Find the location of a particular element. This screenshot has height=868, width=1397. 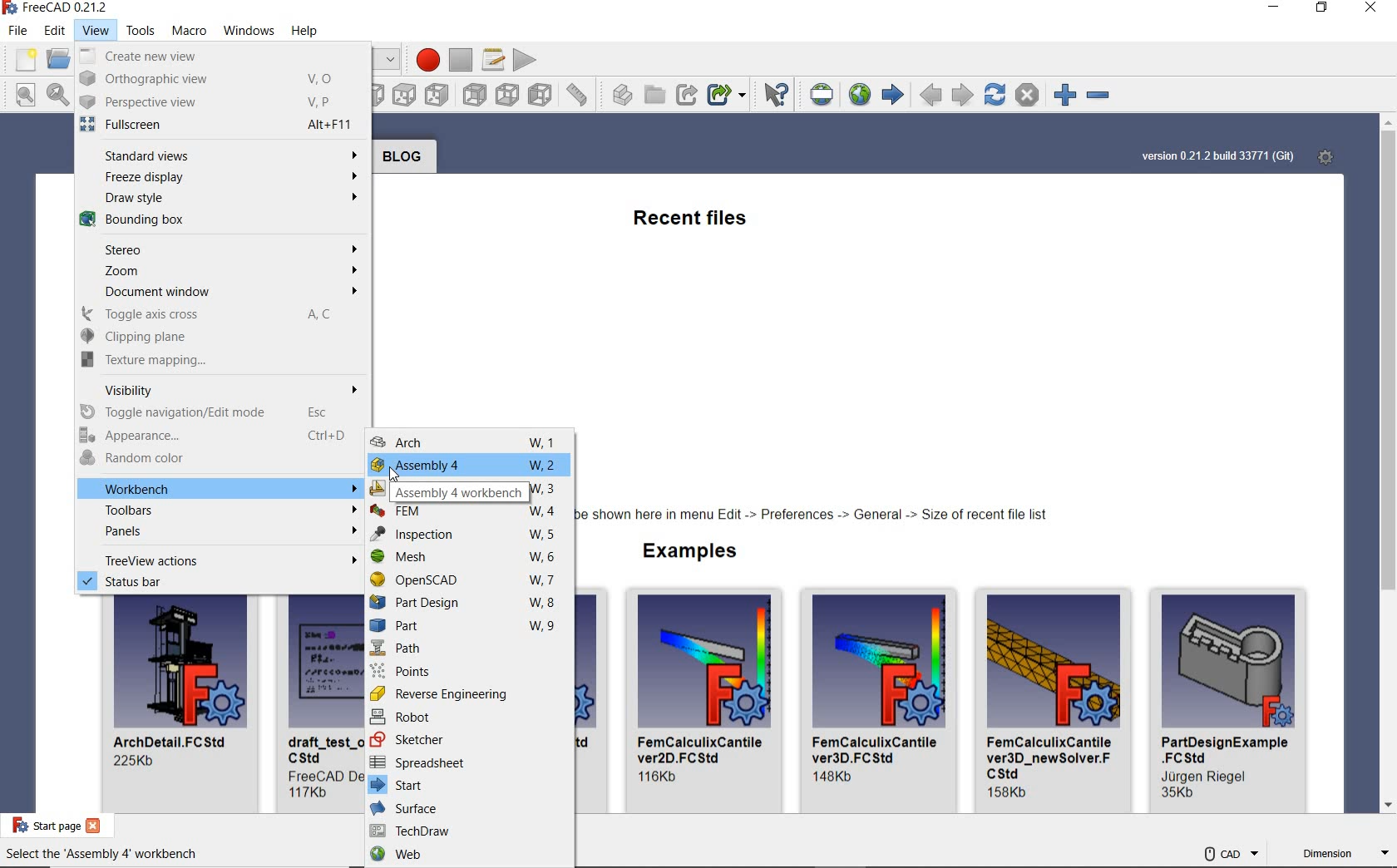

windows is located at coordinates (249, 31).